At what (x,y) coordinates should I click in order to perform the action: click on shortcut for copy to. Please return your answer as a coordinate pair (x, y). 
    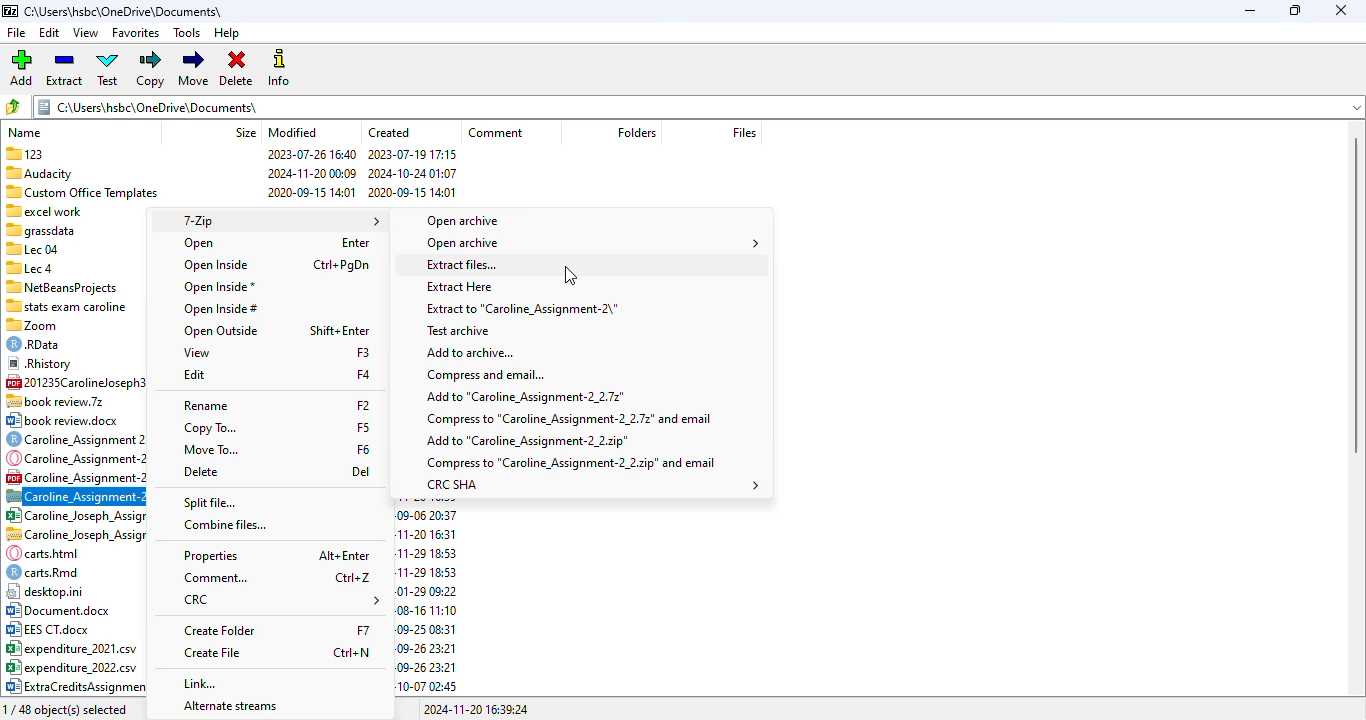
    Looking at the image, I should click on (364, 427).